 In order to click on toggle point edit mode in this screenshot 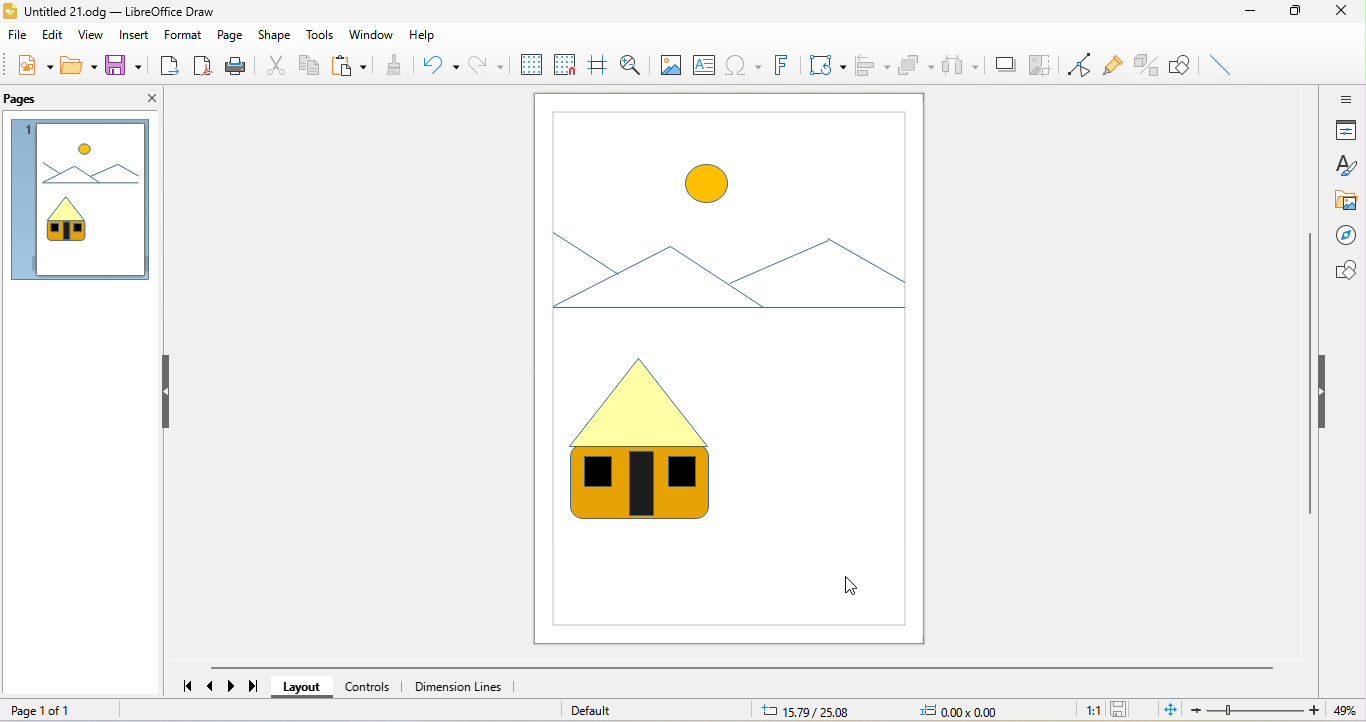, I will do `click(1082, 65)`.